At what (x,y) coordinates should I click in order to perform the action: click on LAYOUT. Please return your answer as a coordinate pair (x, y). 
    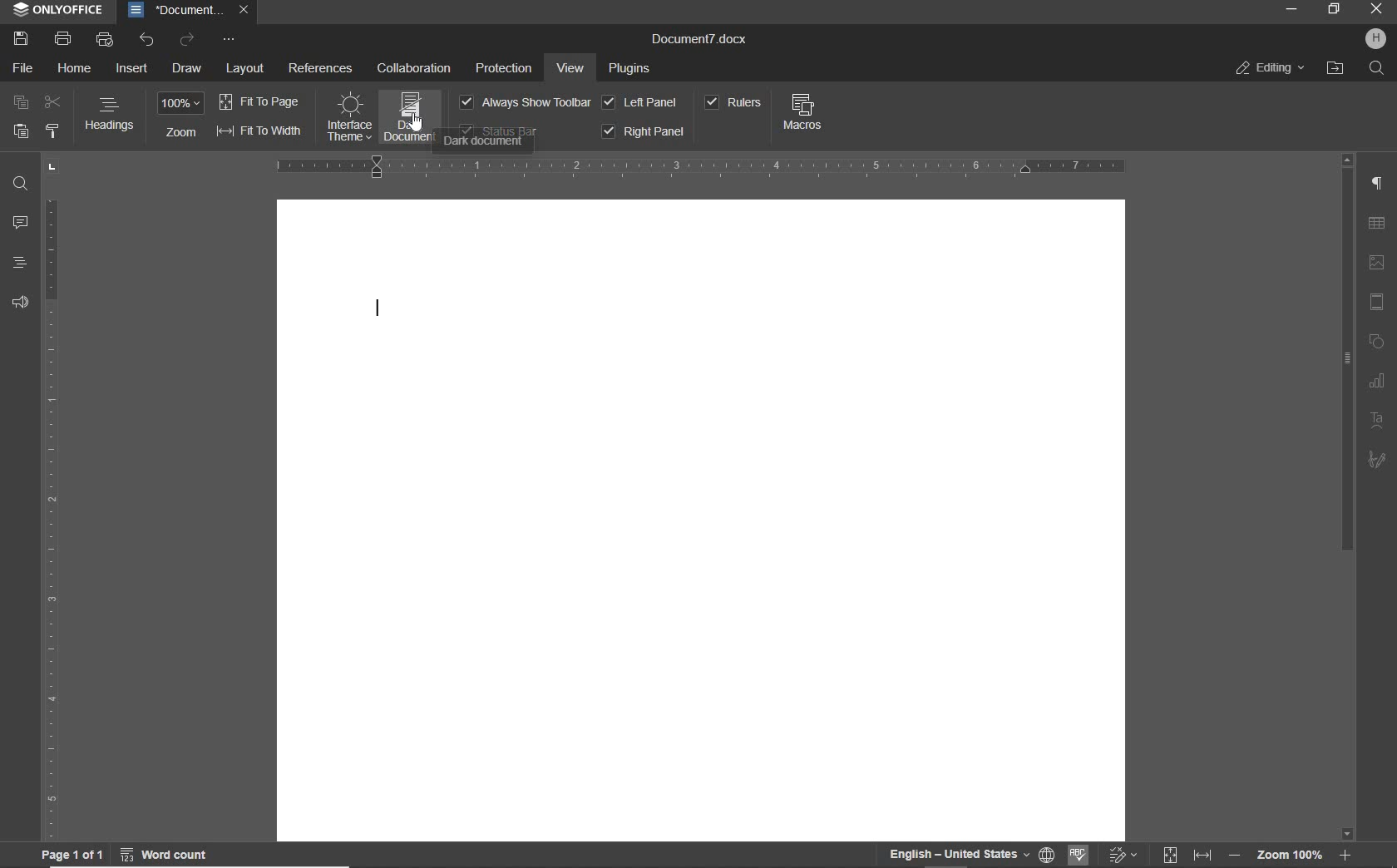
    Looking at the image, I should click on (246, 70).